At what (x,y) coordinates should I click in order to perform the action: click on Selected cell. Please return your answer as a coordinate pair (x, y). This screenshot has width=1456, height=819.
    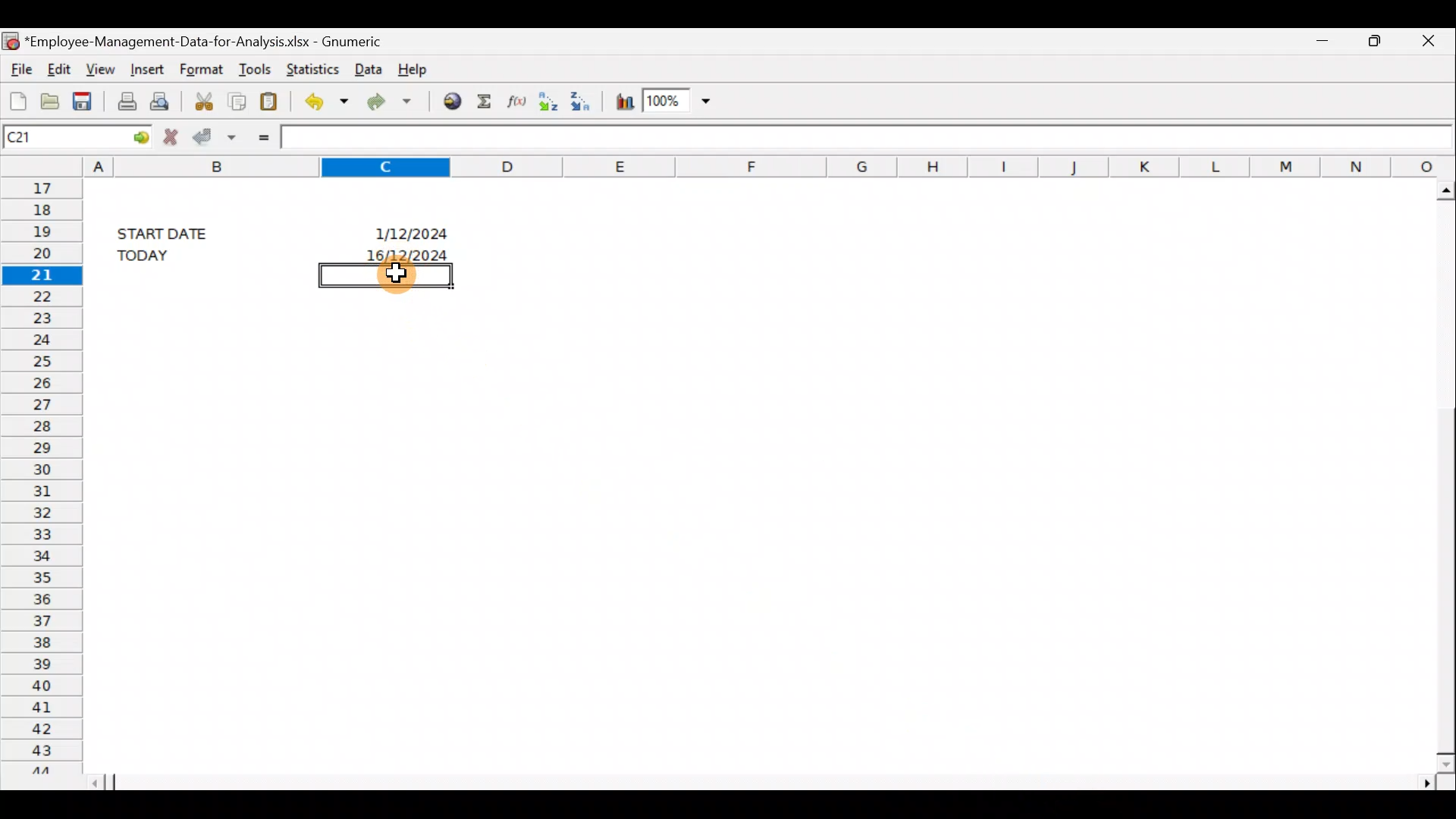
    Looking at the image, I should click on (386, 275).